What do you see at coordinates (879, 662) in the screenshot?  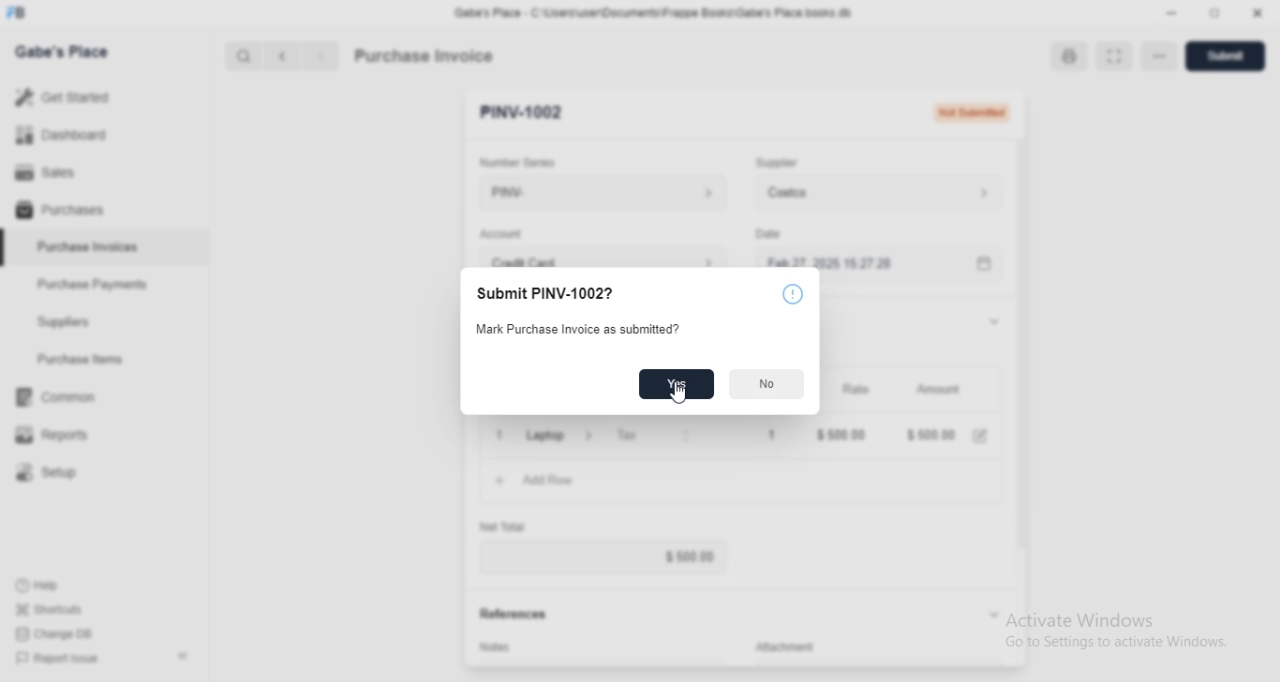 I see `Add attachment` at bounding box center [879, 662].